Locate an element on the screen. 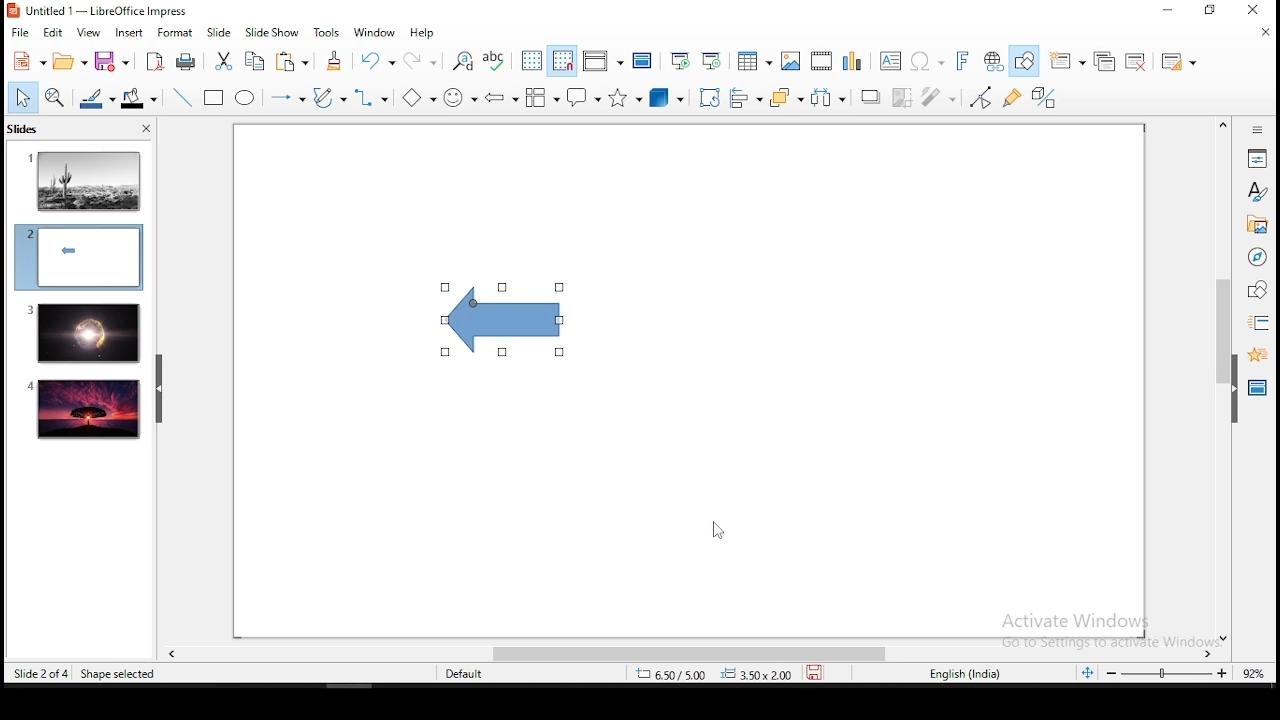 This screenshot has height=720, width=1280. help is located at coordinates (424, 33).